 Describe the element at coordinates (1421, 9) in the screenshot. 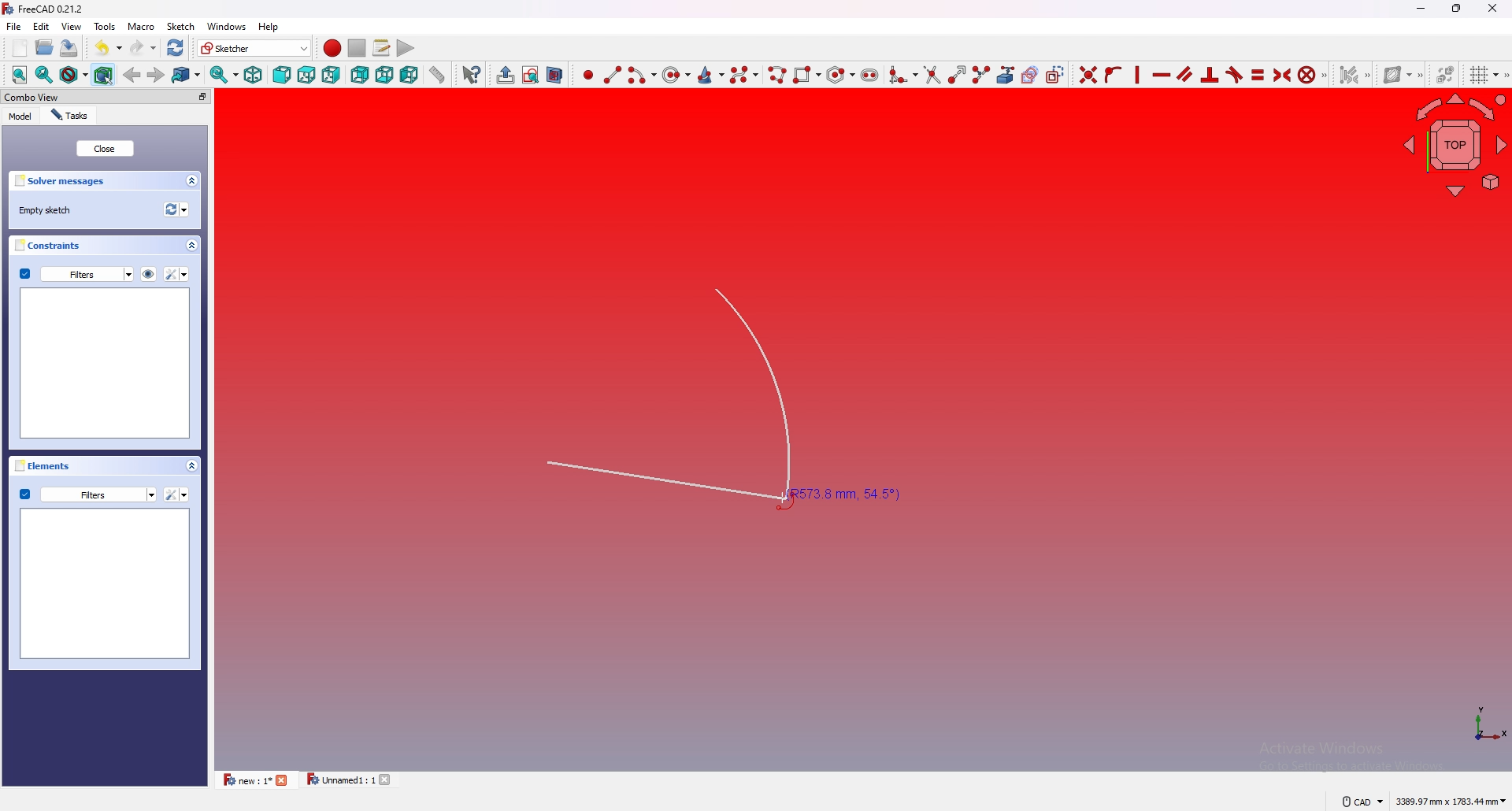

I see `minimize` at that location.